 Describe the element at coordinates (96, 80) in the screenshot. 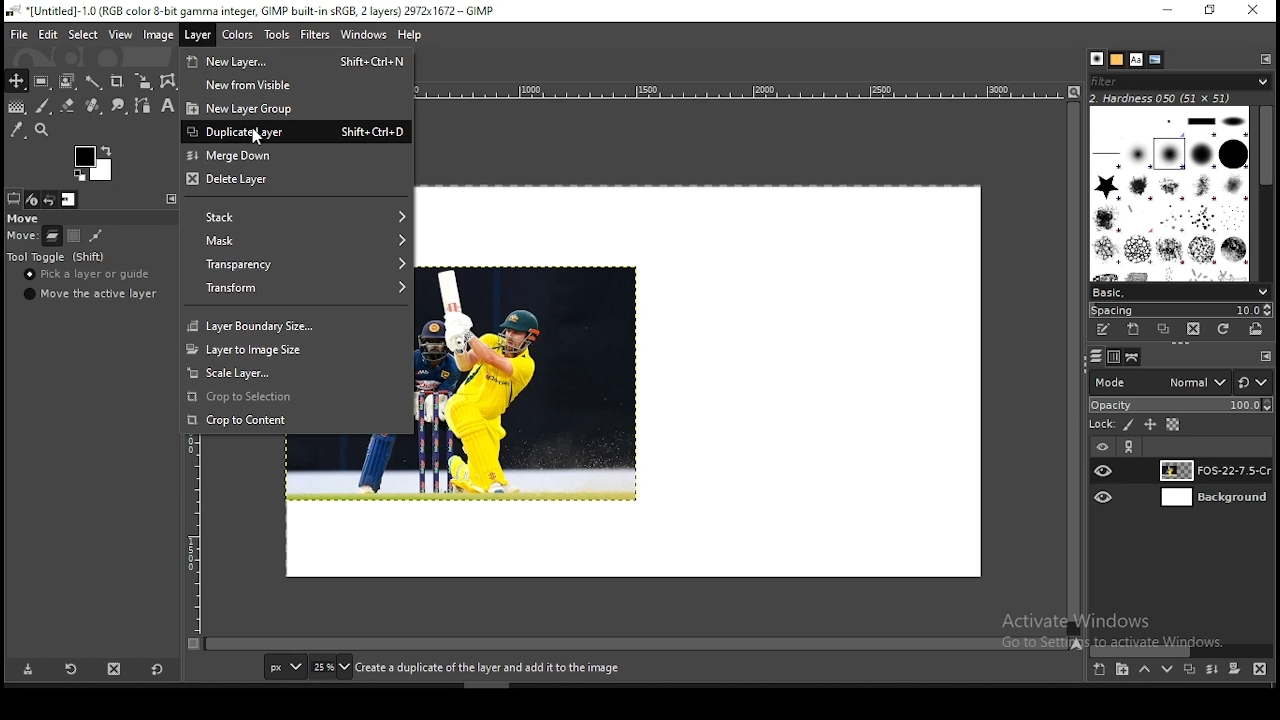

I see `fuzzy select tool` at that location.